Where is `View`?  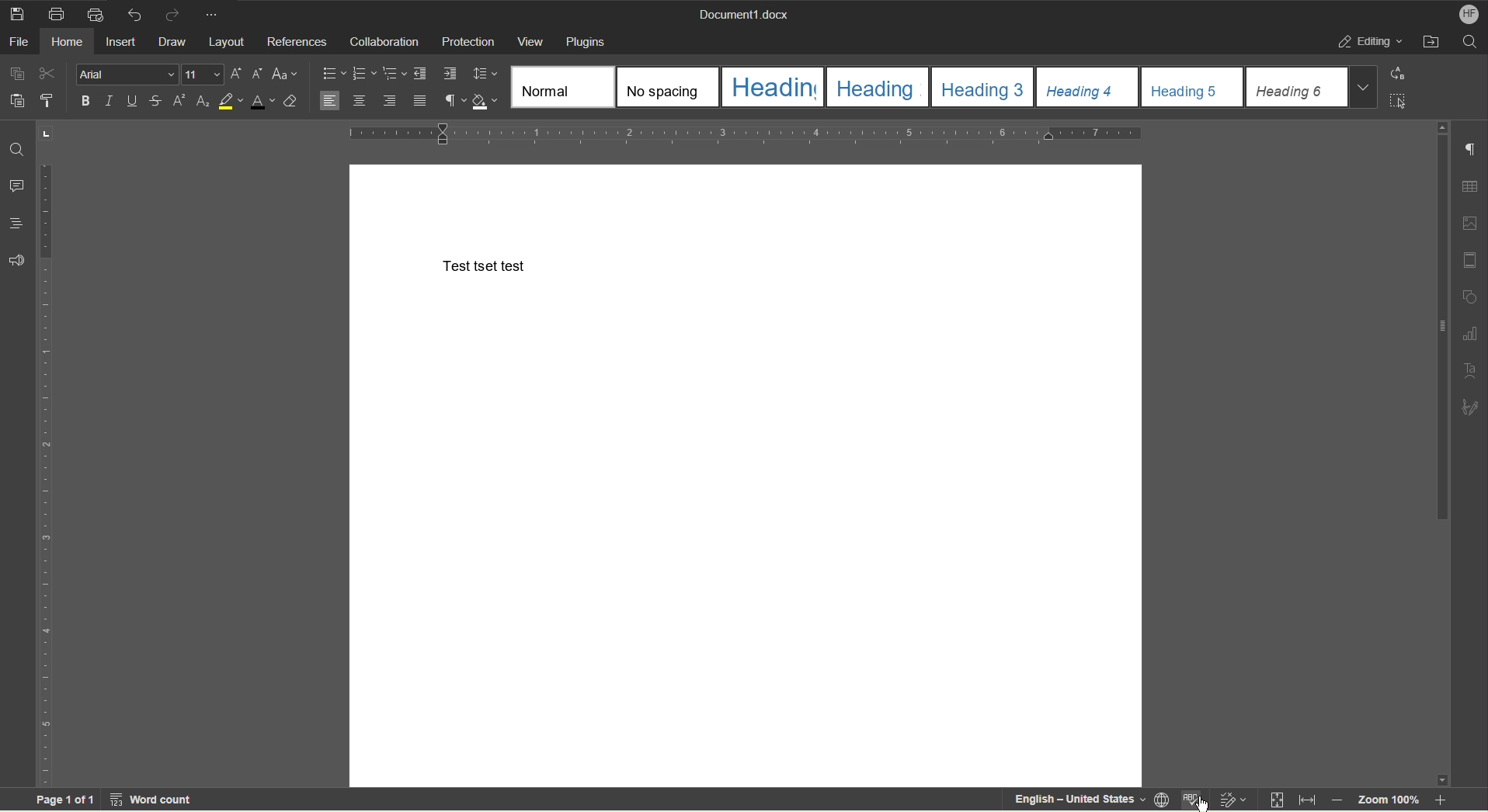
View is located at coordinates (530, 42).